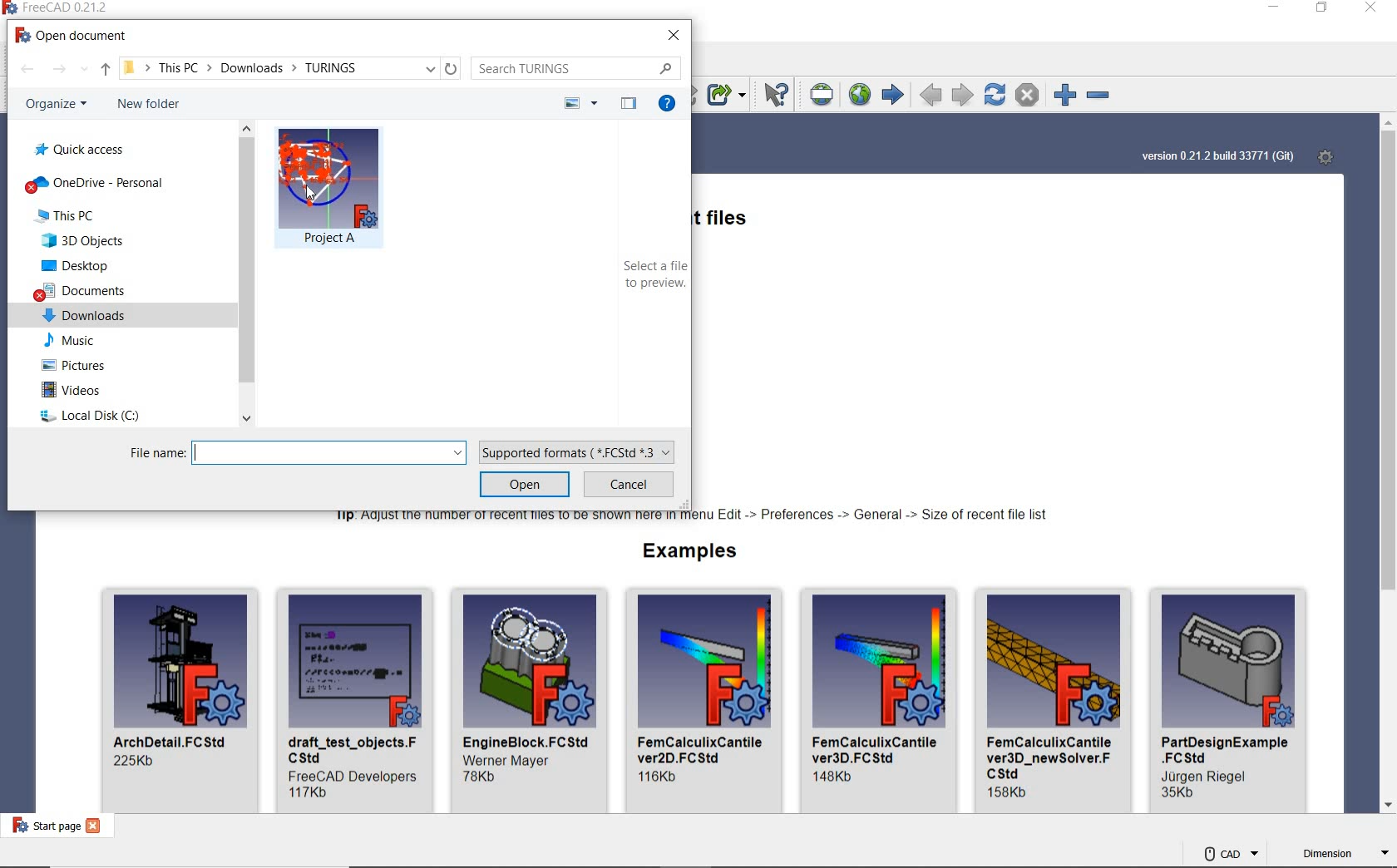 The width and height of the screenshot is (1397, 868). I want to click on HIDE THE PREVIEW PANE, so click(629, 104).